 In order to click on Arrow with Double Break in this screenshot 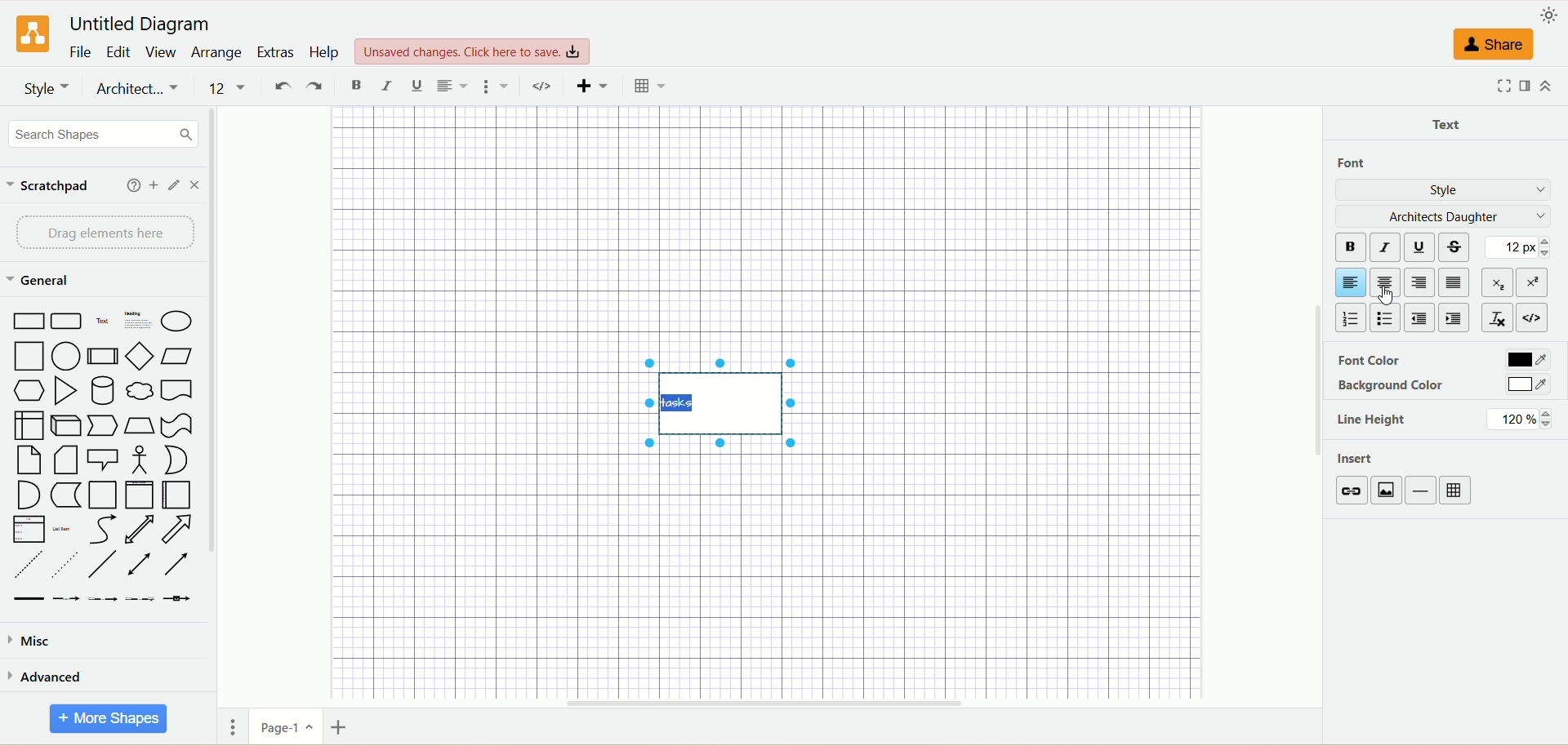, I will do `click(105, 601)`.